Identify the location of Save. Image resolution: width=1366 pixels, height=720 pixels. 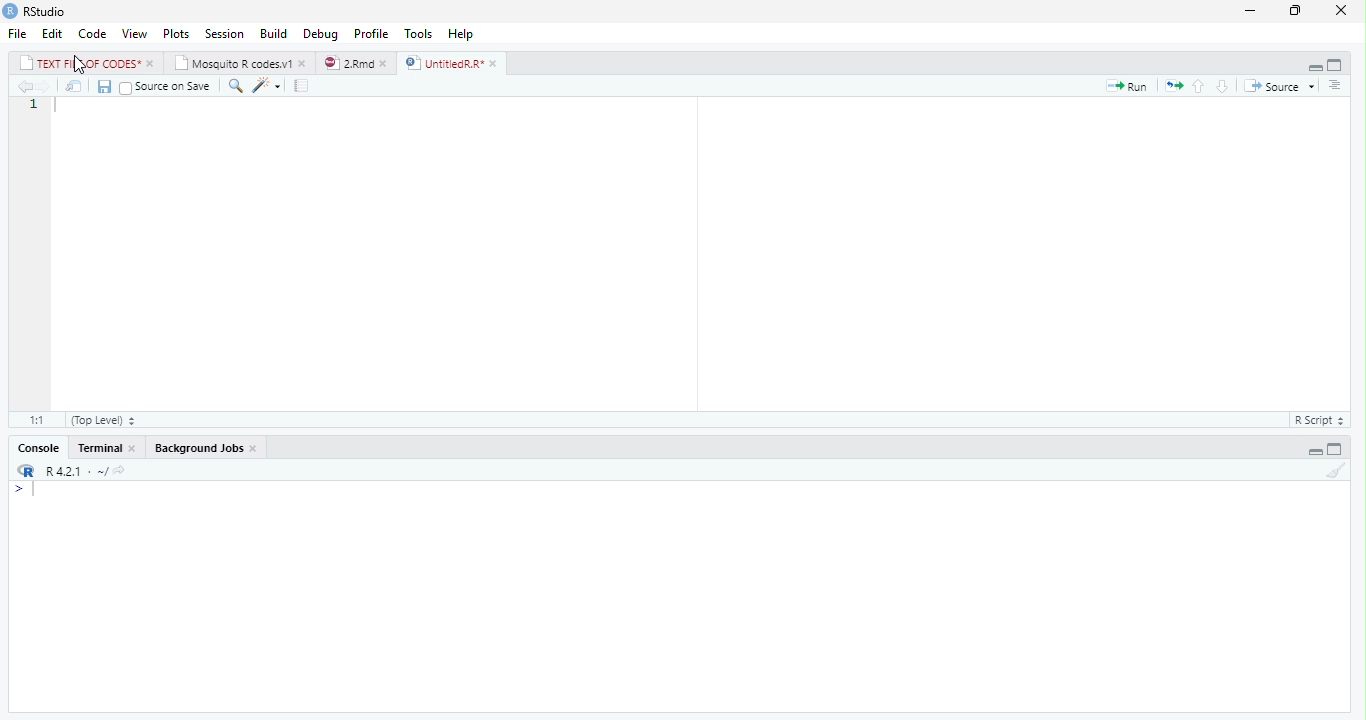
(105, 87).